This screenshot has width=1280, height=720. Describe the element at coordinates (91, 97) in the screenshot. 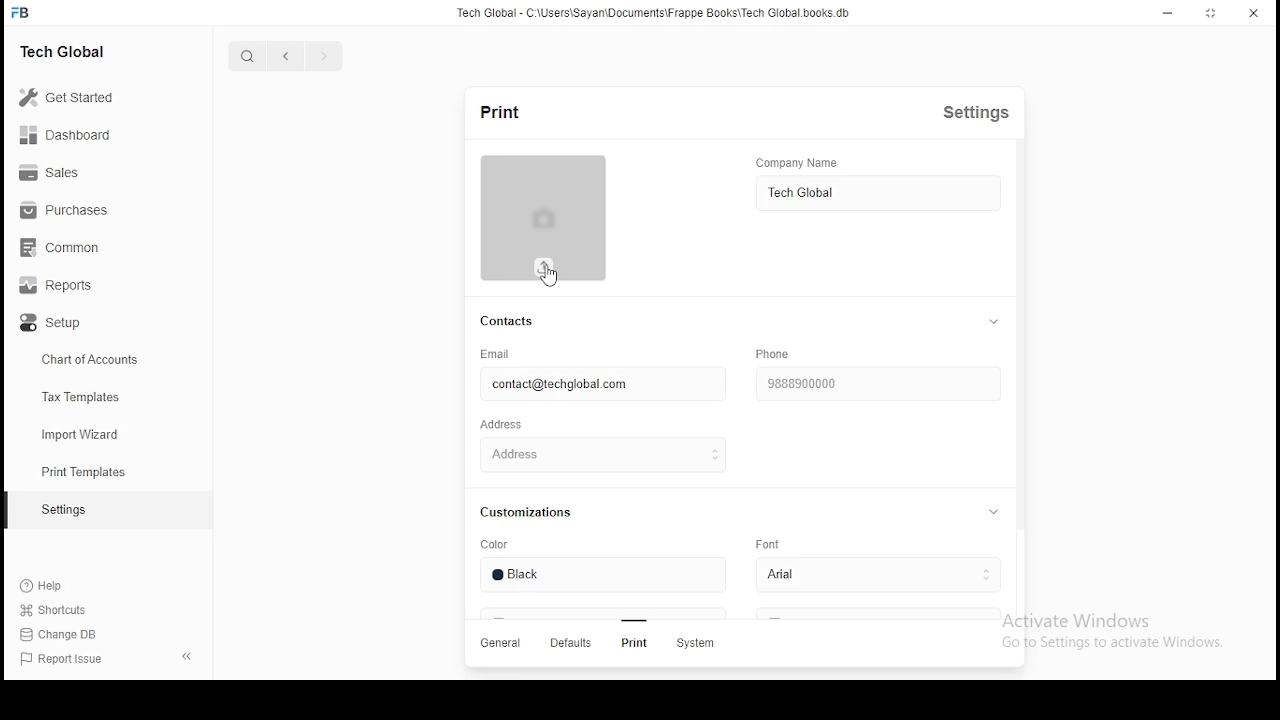

I see `Get Started ` at that location.